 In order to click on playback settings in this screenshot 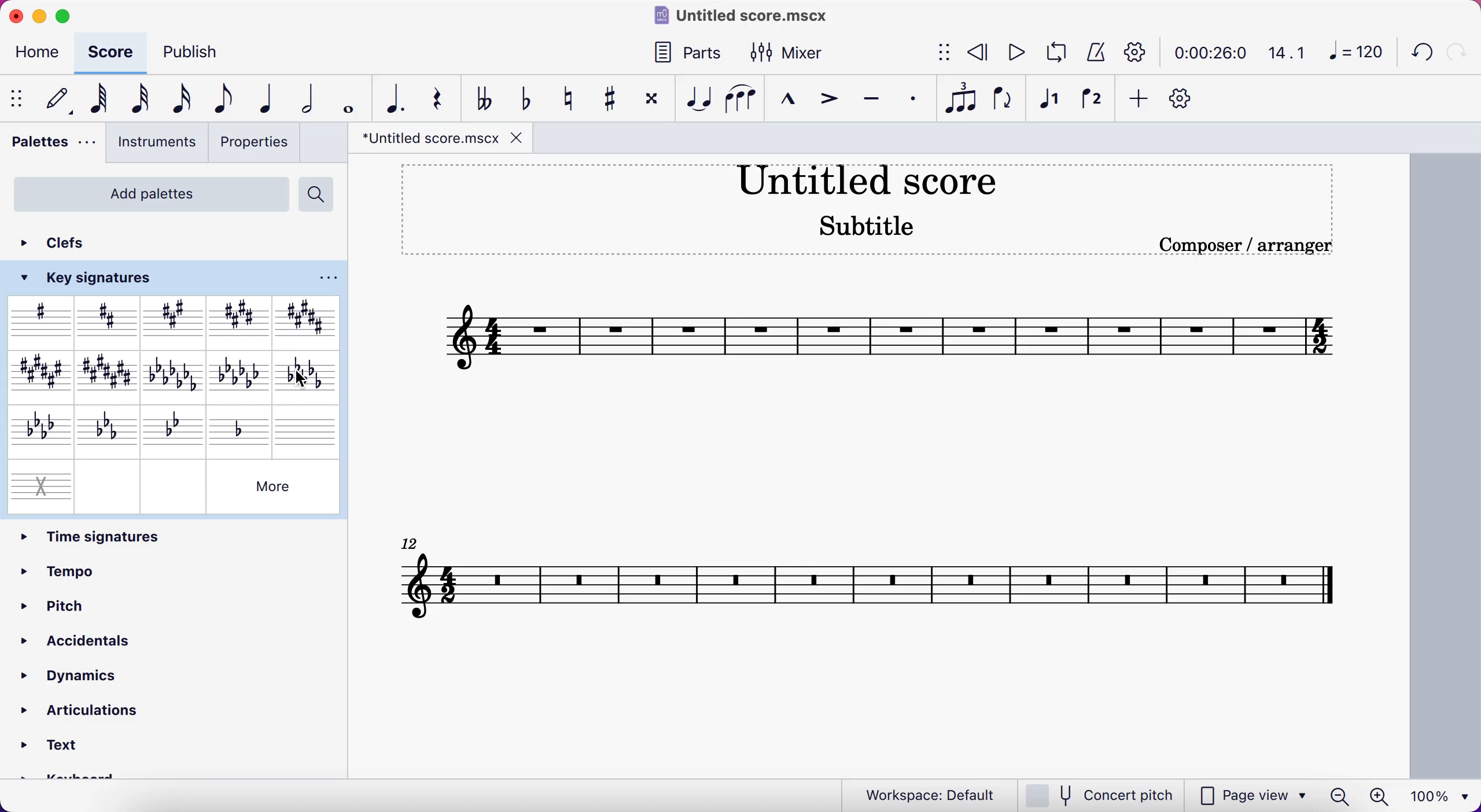, I will do `click(1132, 53)`.